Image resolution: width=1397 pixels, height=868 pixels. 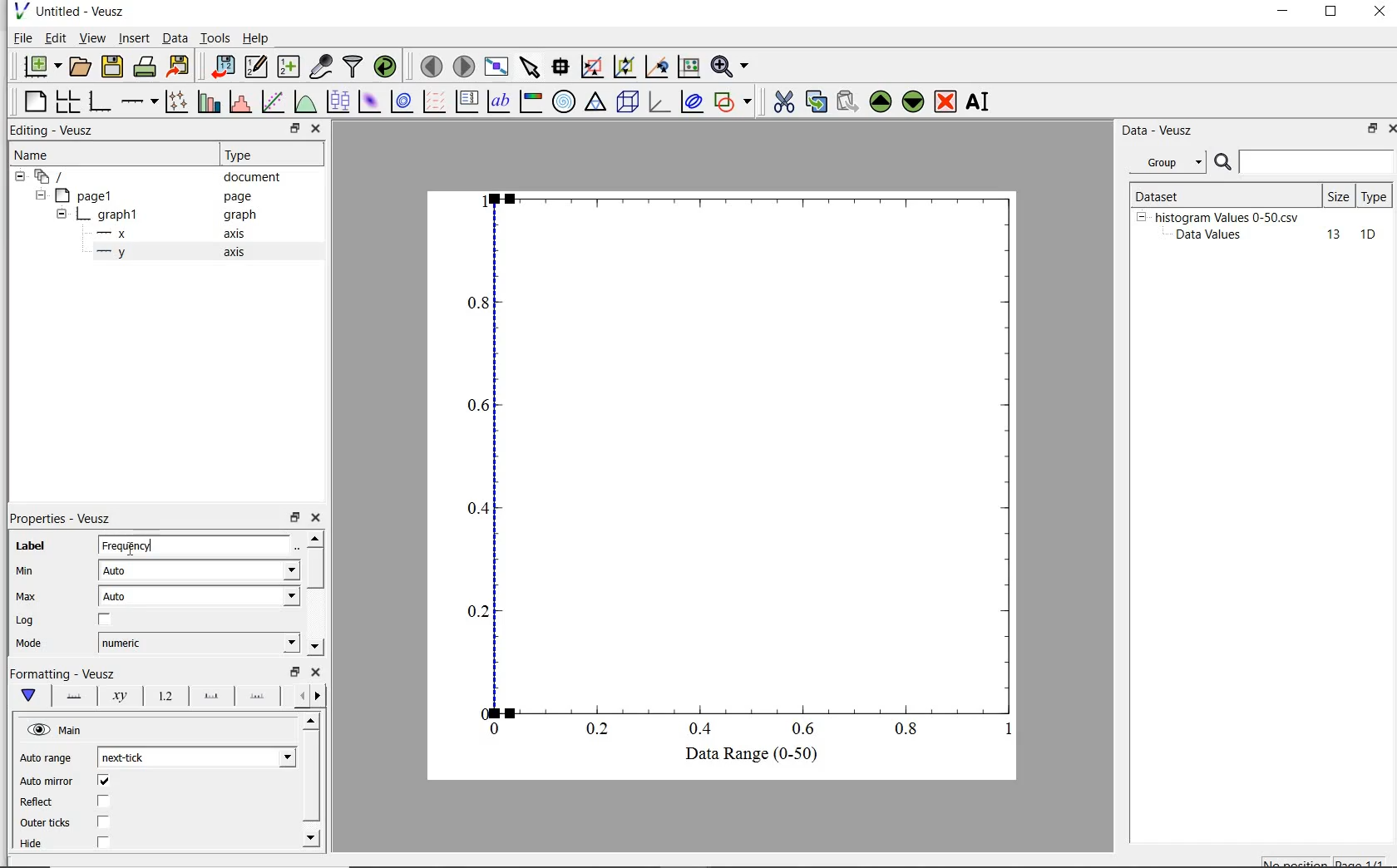 What do you see at coordinates (39, 802) in the screenshot?
I see ` Reflect` at bounding box center [39, 802].